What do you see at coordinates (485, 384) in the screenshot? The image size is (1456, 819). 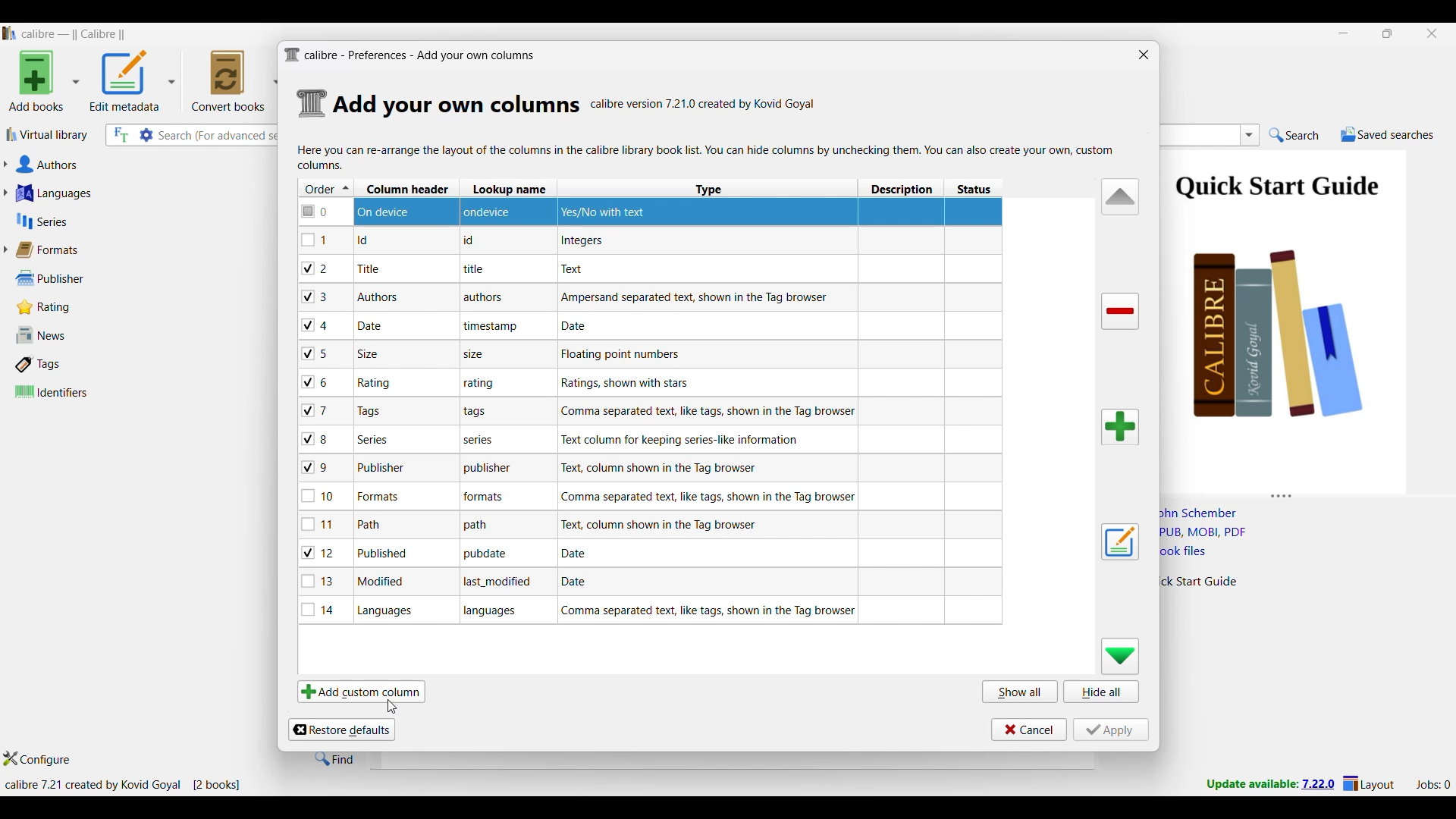 I see `note` at bounding box center [485, 384].